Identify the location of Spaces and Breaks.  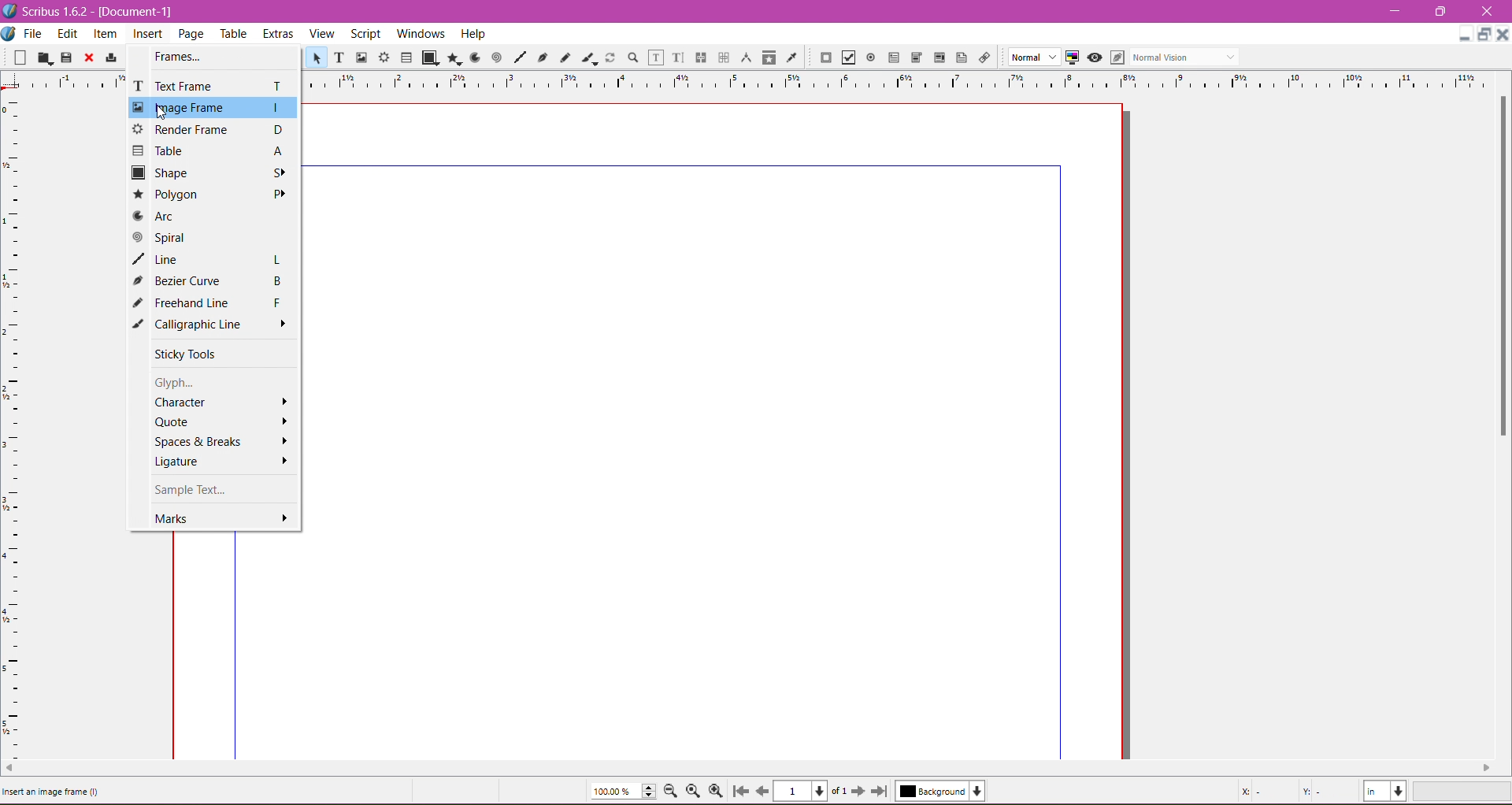
(221, 442).